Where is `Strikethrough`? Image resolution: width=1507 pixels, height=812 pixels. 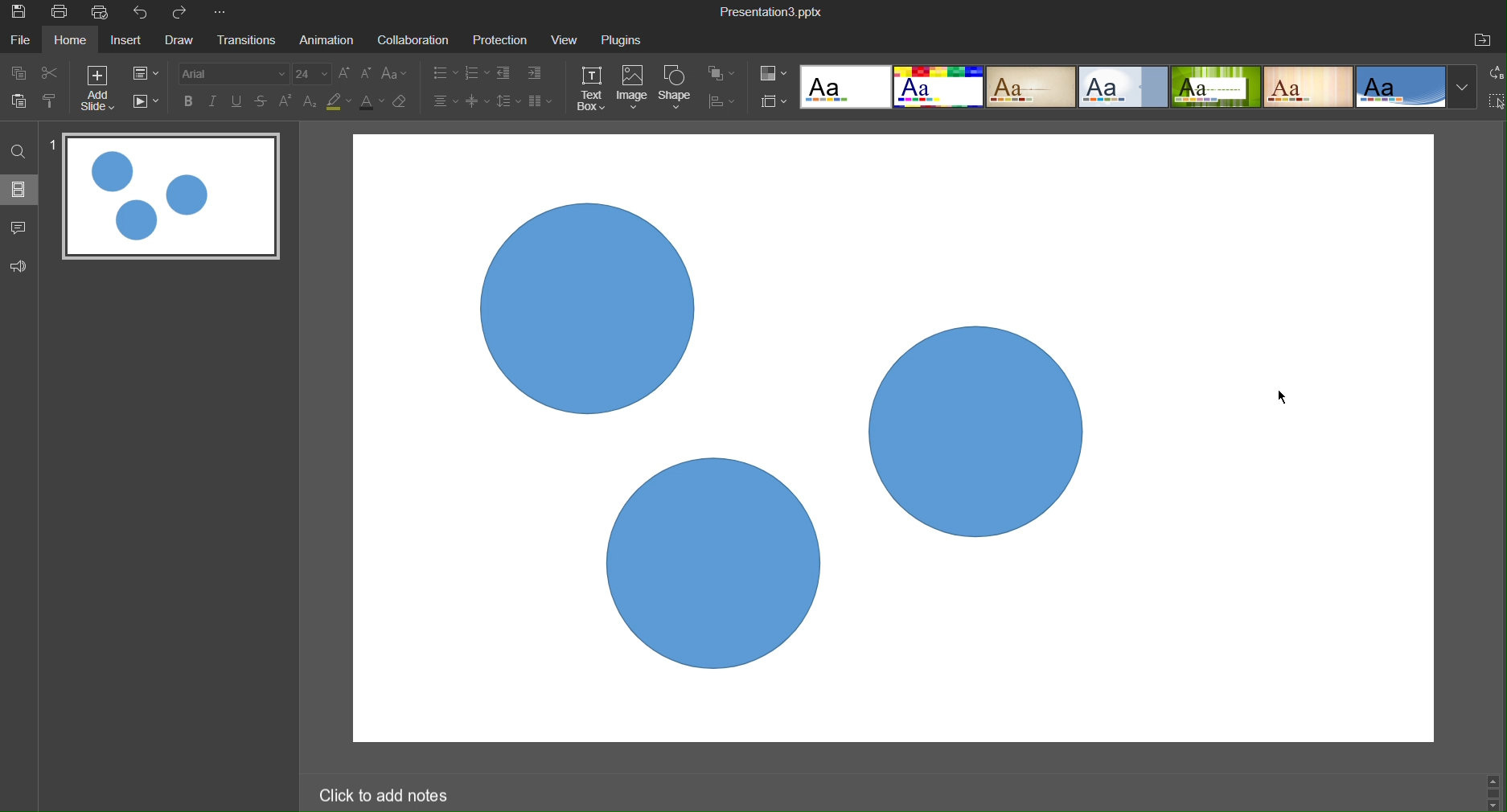
Strikethrough is located at coordinates (264, 101).